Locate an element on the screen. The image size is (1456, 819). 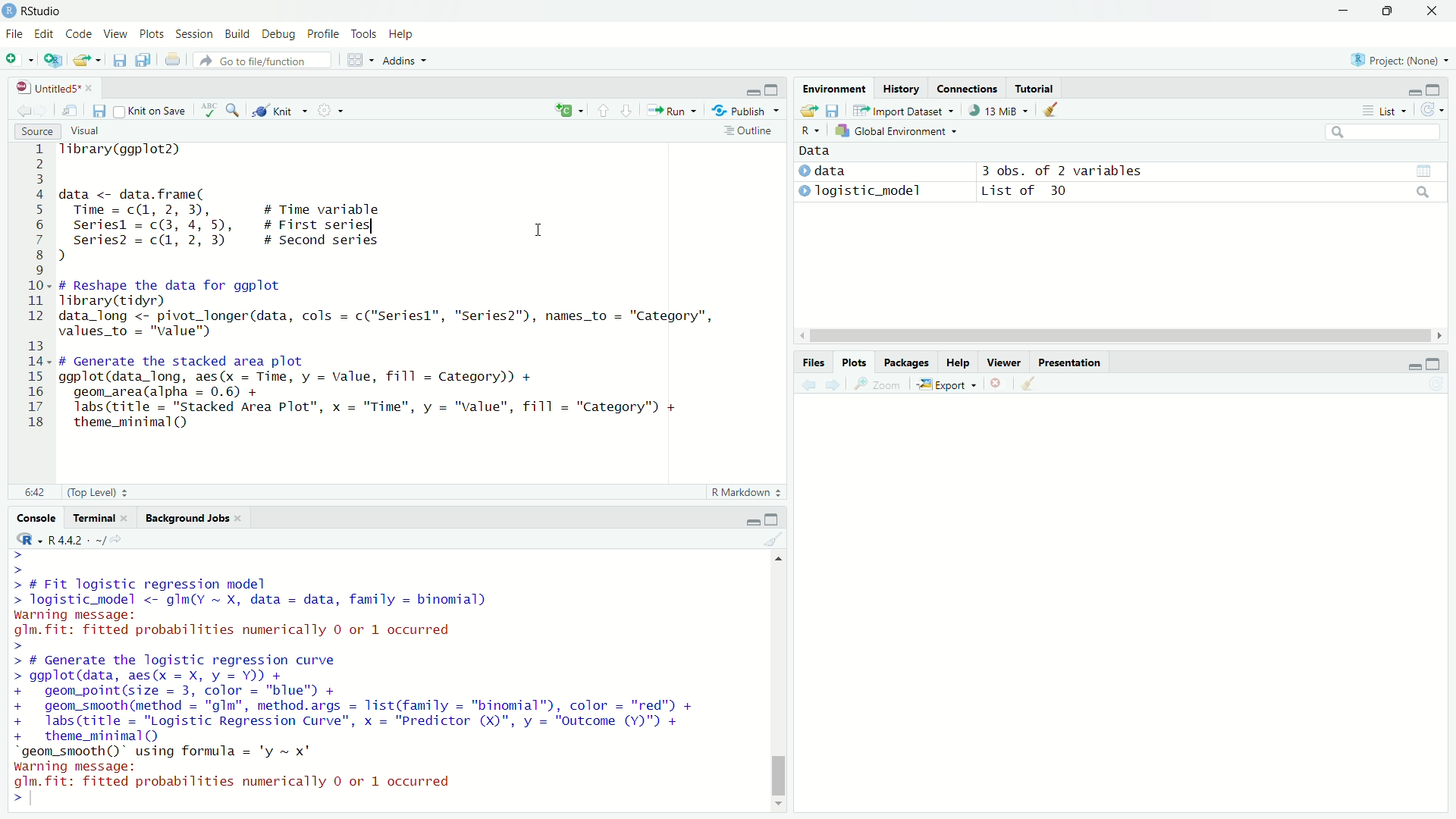
Visual is located at coordinates (93, 130).